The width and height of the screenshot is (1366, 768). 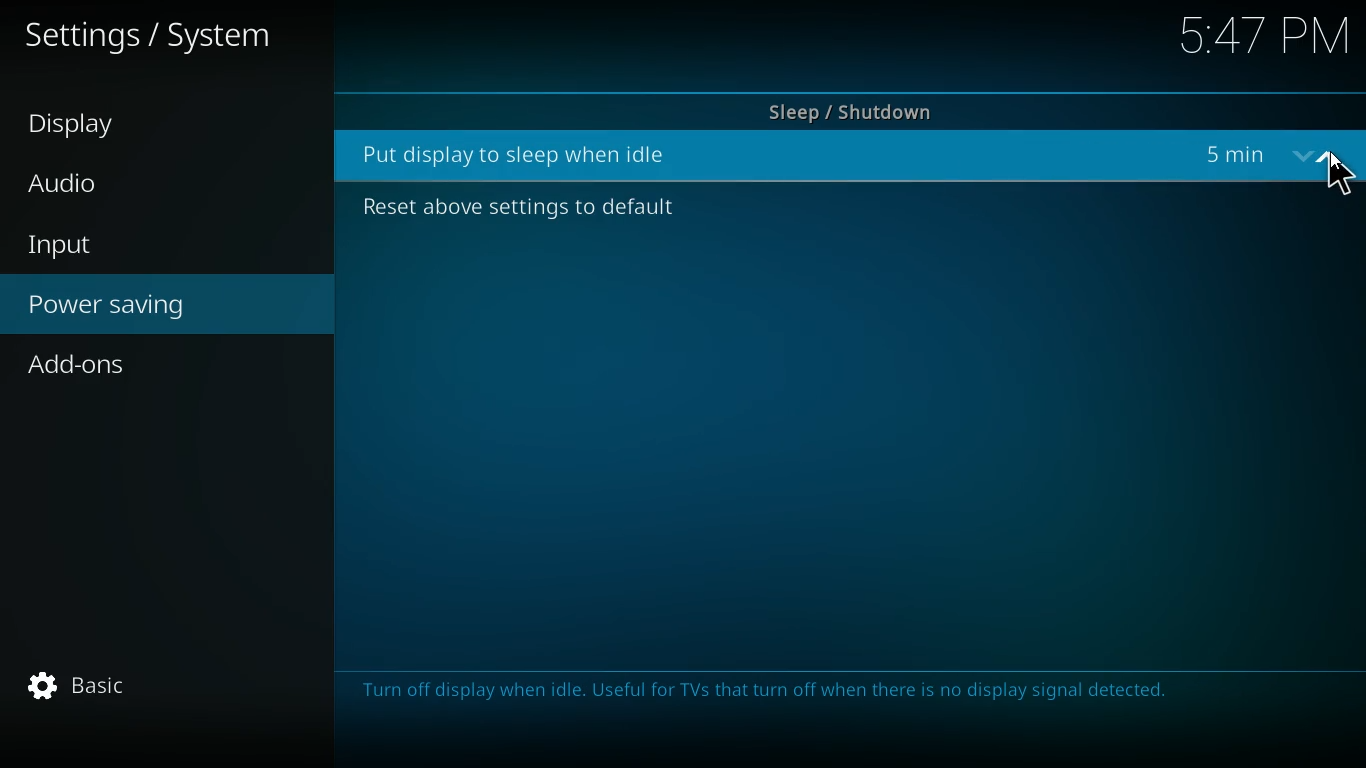 I want to click on 5 min, so click(x=1234, y=155).